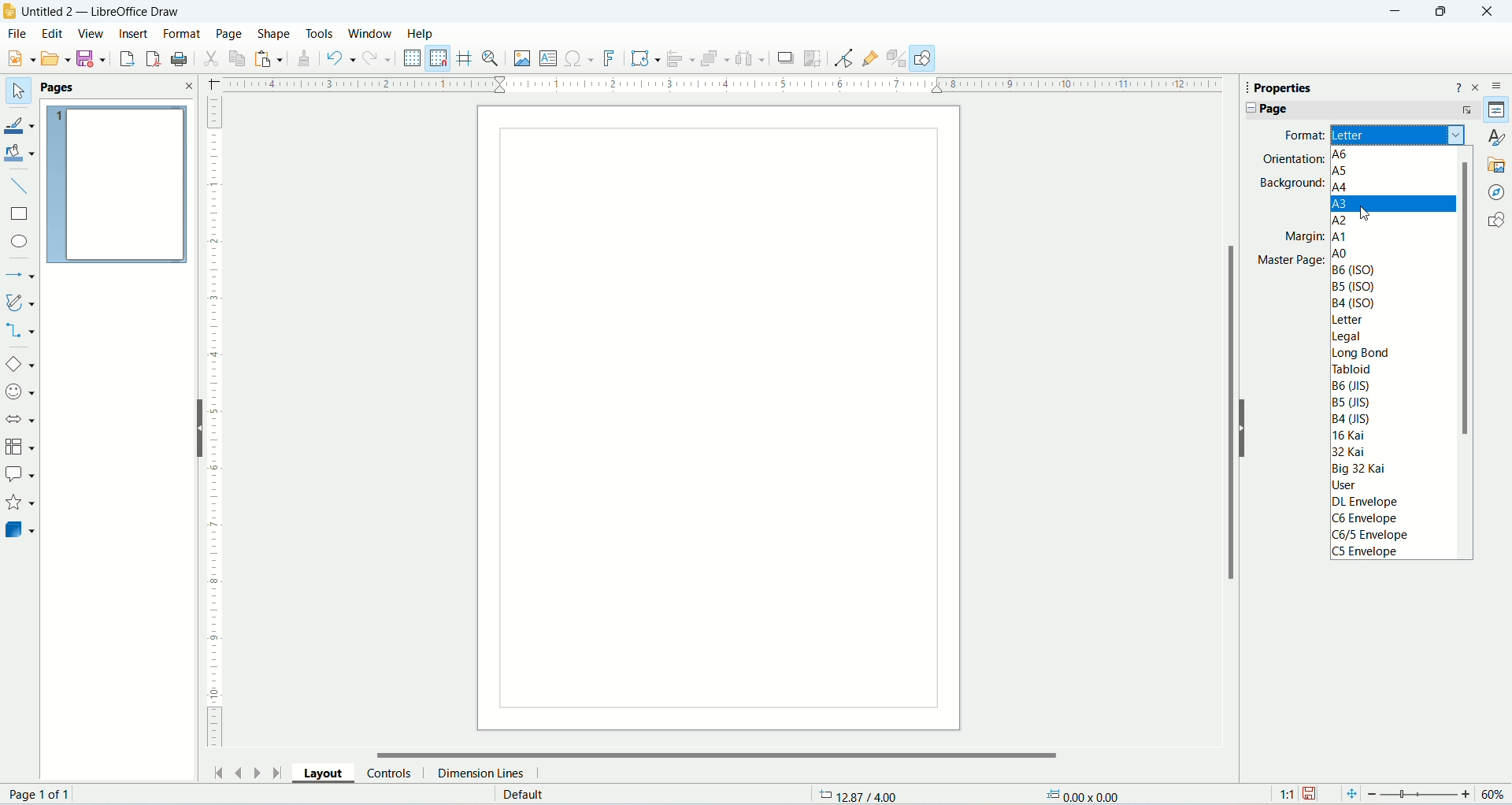 The image size is (1512, 805). What do you see at coordinates (1350, 323) in the screenshot?
I see `letter` at bounding box center [1350, 323].